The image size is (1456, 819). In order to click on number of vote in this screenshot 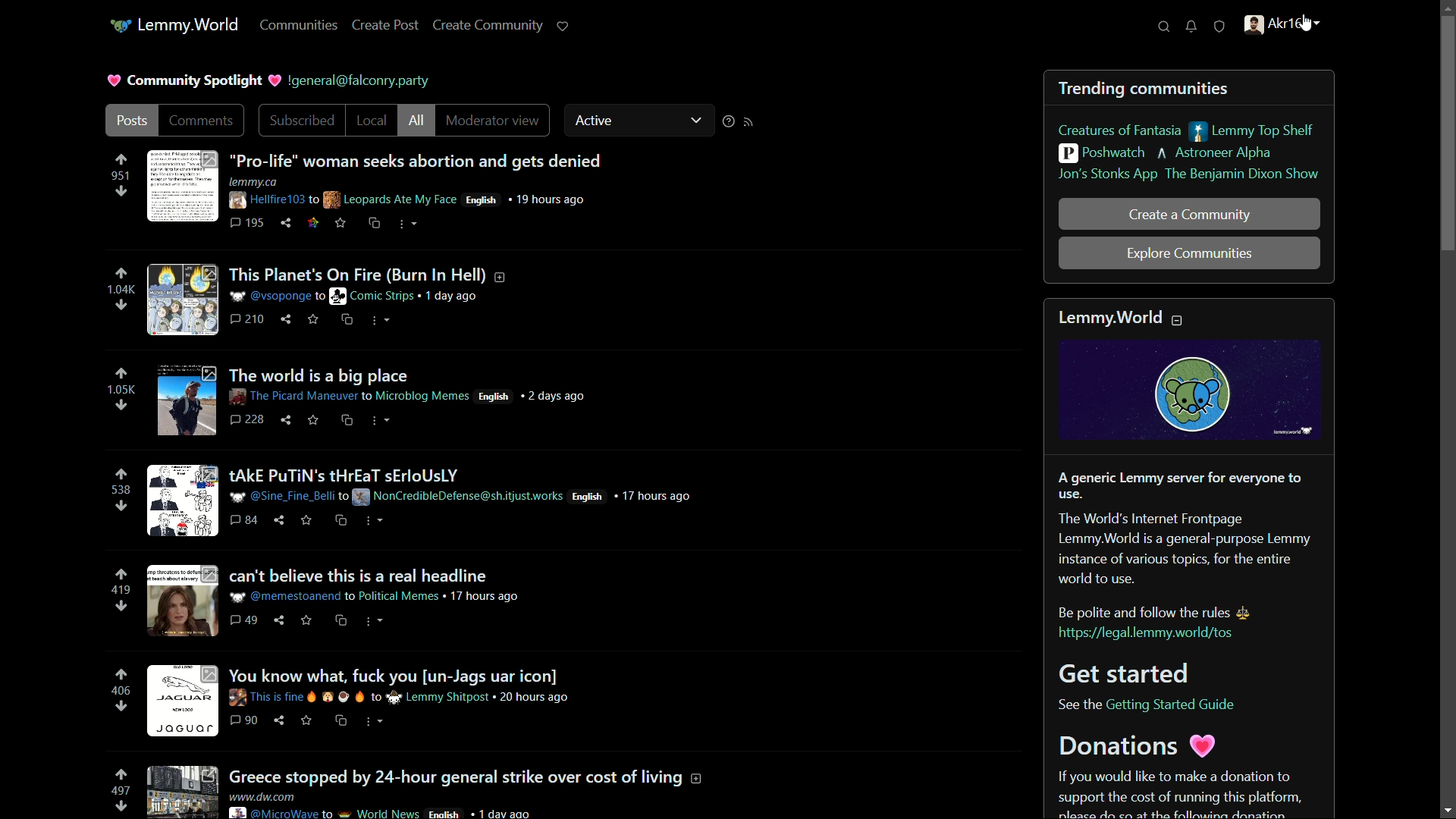, I will do `click(120, 491)`.